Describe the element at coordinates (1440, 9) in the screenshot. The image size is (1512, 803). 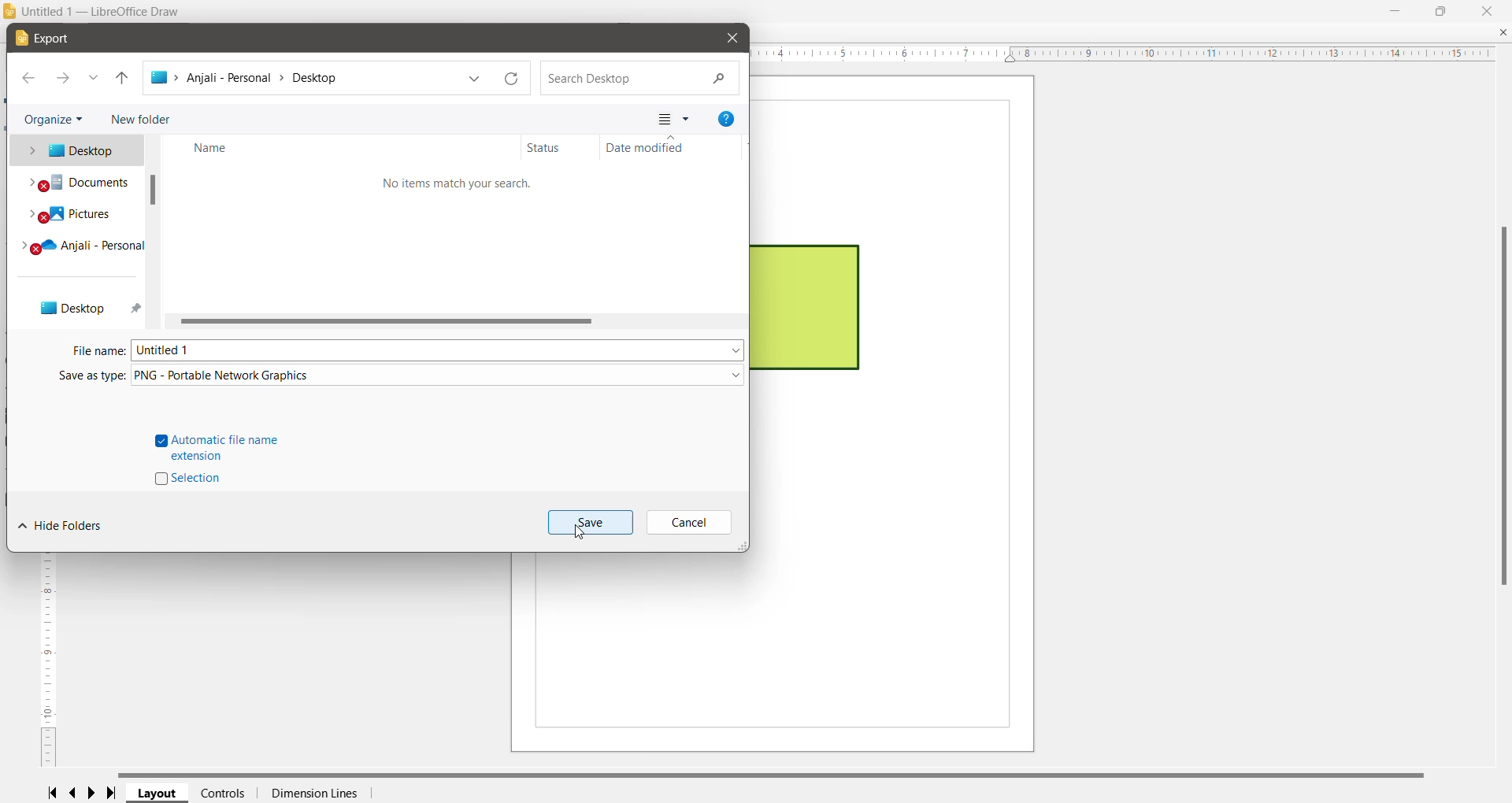
I see `Restore Down` at that location.